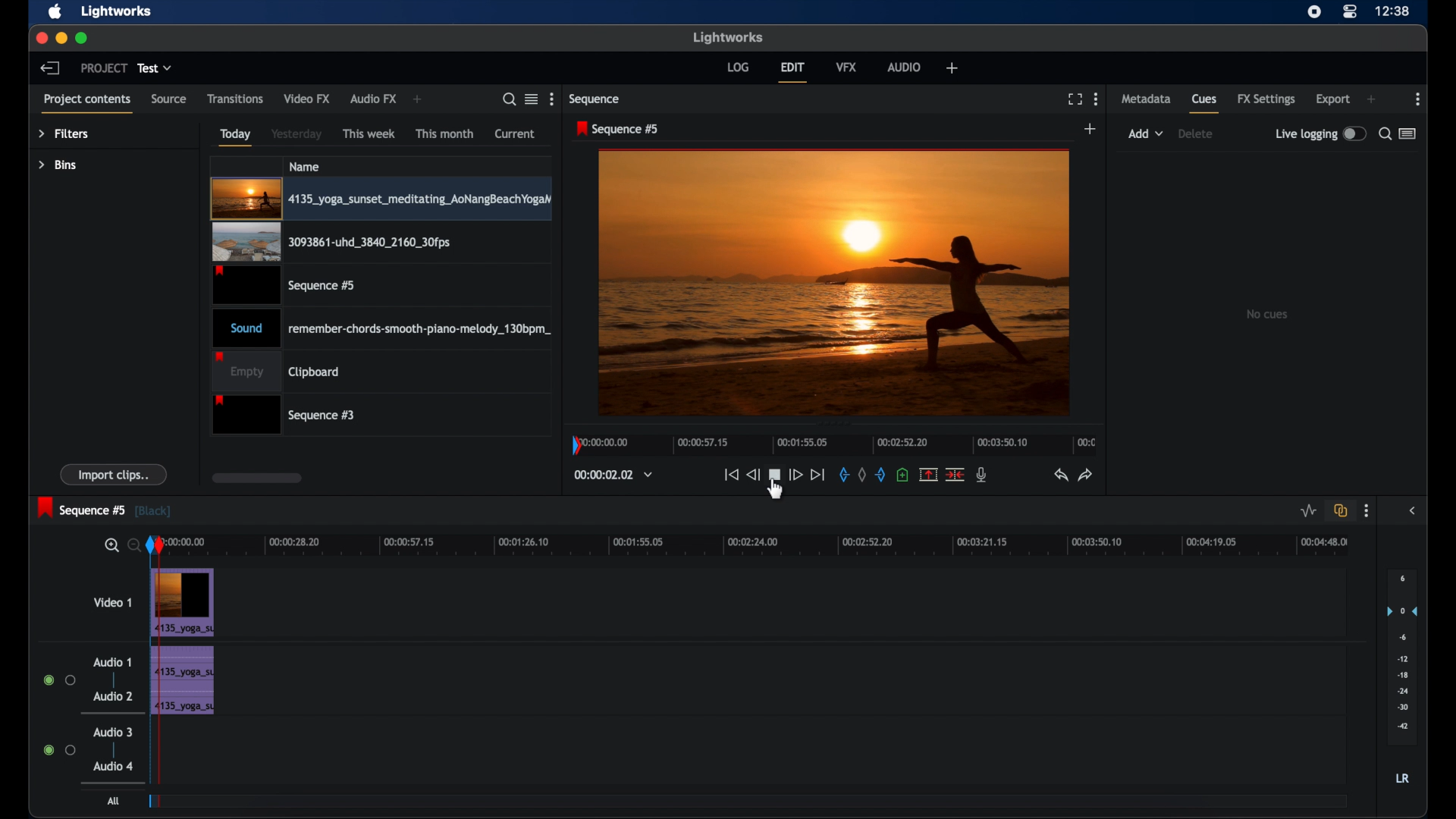 The height and width of the screenshot is (819, 1456). Describe the element at coordinates (508, 99) in the screenshot. I see `search` at that location.